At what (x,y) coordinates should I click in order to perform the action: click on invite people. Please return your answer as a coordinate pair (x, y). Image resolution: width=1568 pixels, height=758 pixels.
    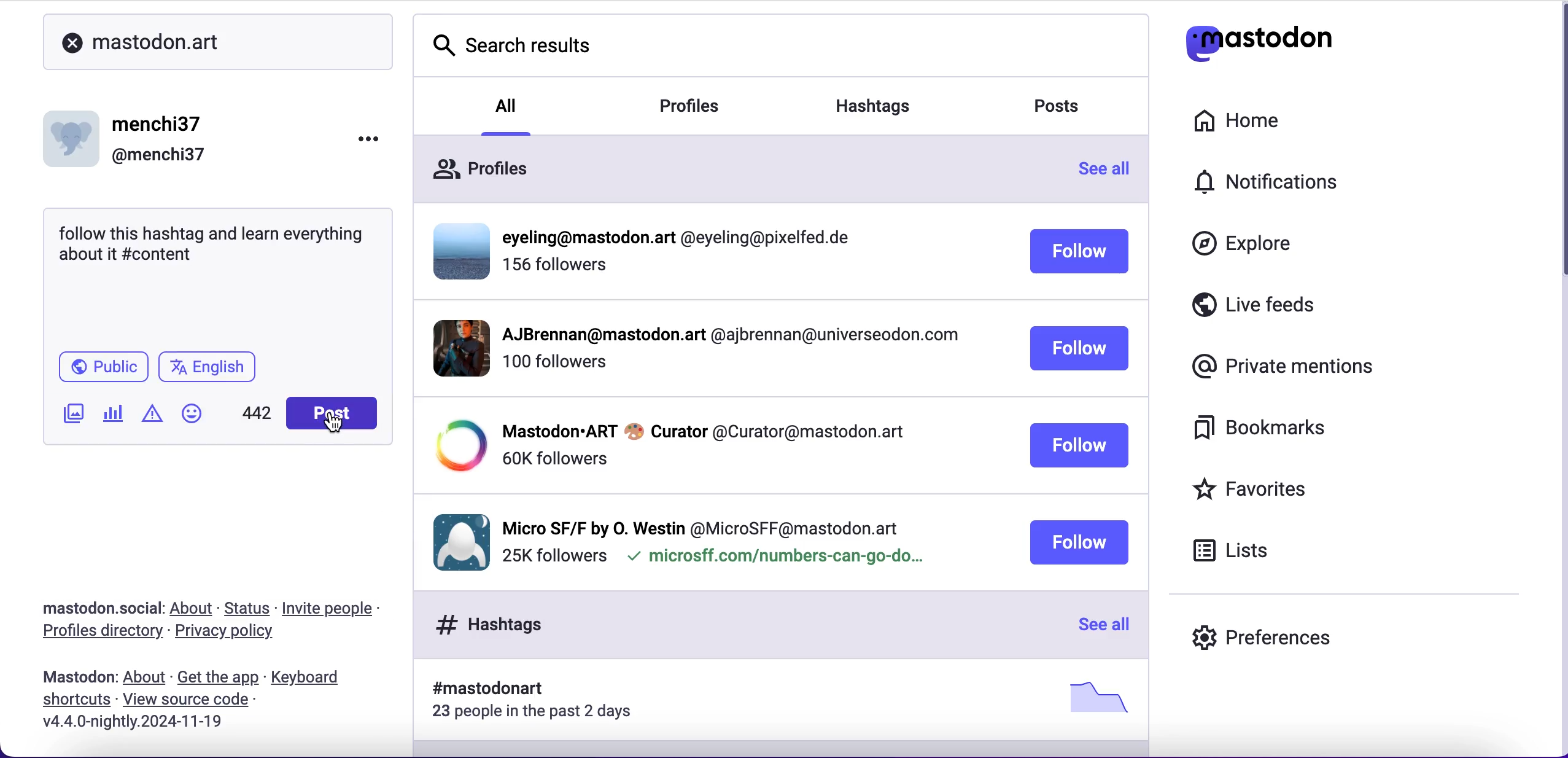
    Looking at the image, I should click on (340, 608).